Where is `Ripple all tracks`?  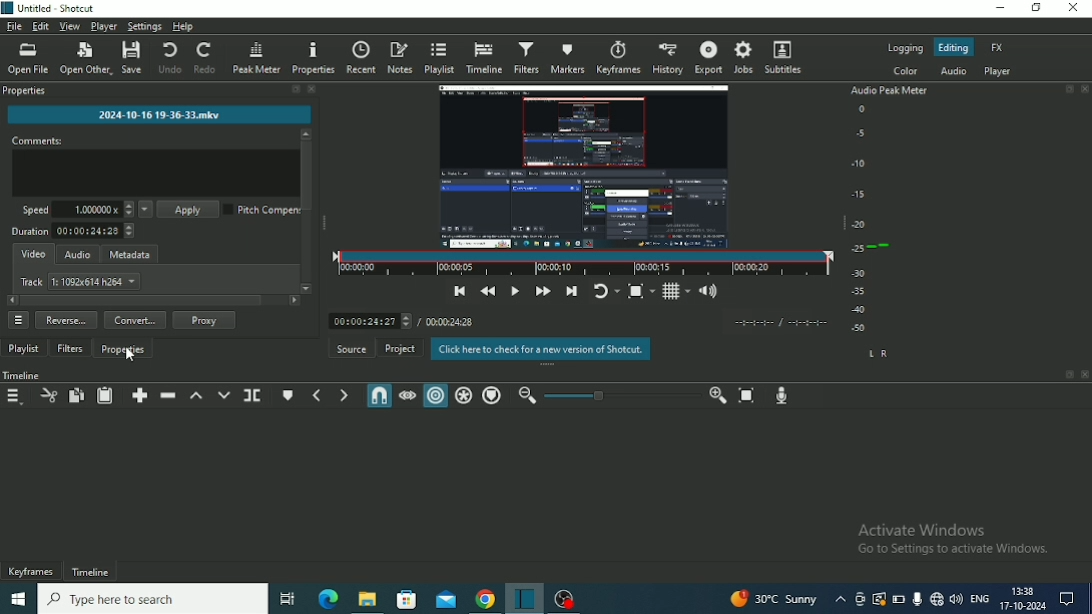 Ripple all tracks is located at coordinates (463, 396).